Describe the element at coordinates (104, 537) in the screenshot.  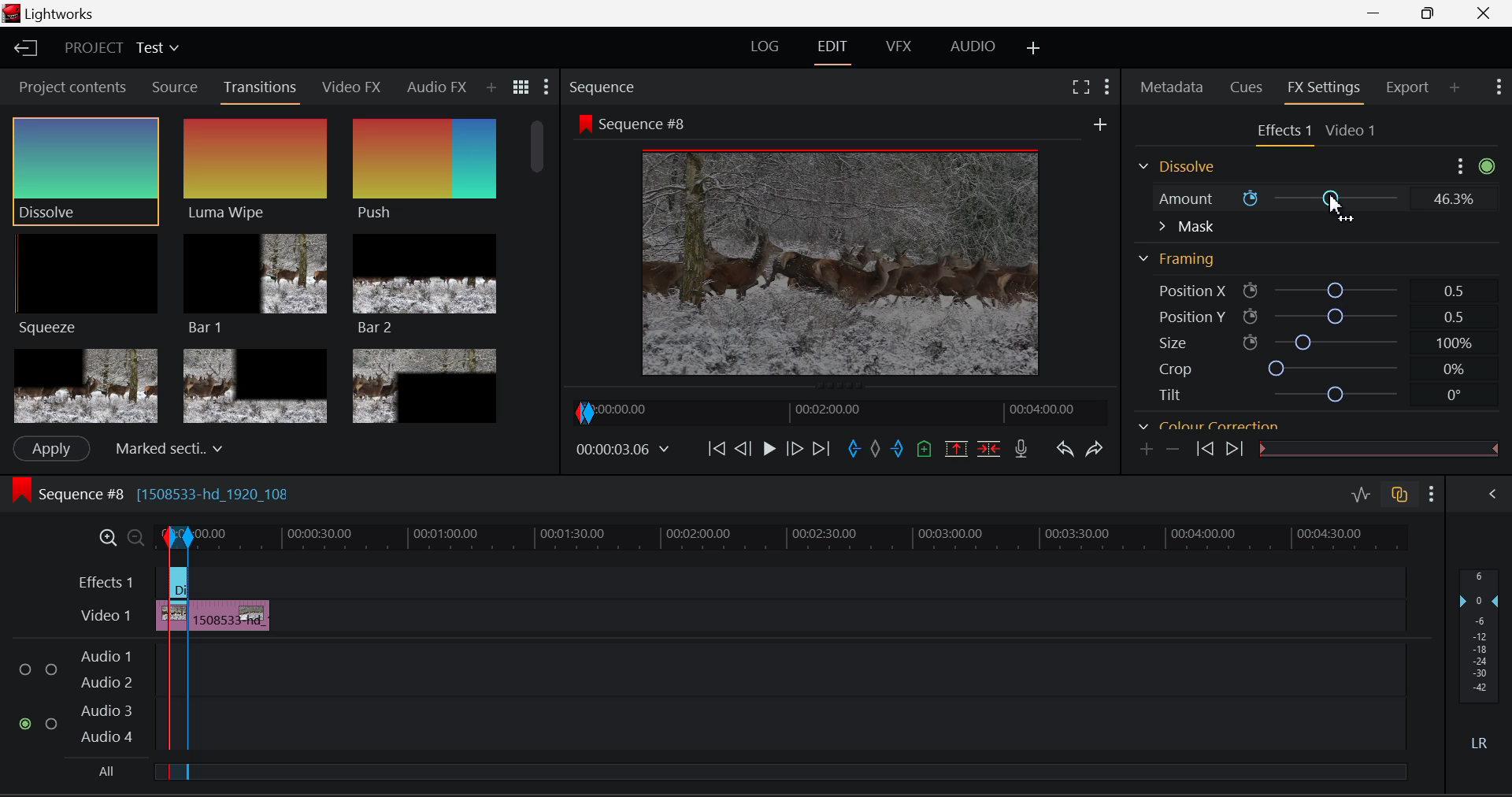
I see `Timeline Zoom In` at that location.